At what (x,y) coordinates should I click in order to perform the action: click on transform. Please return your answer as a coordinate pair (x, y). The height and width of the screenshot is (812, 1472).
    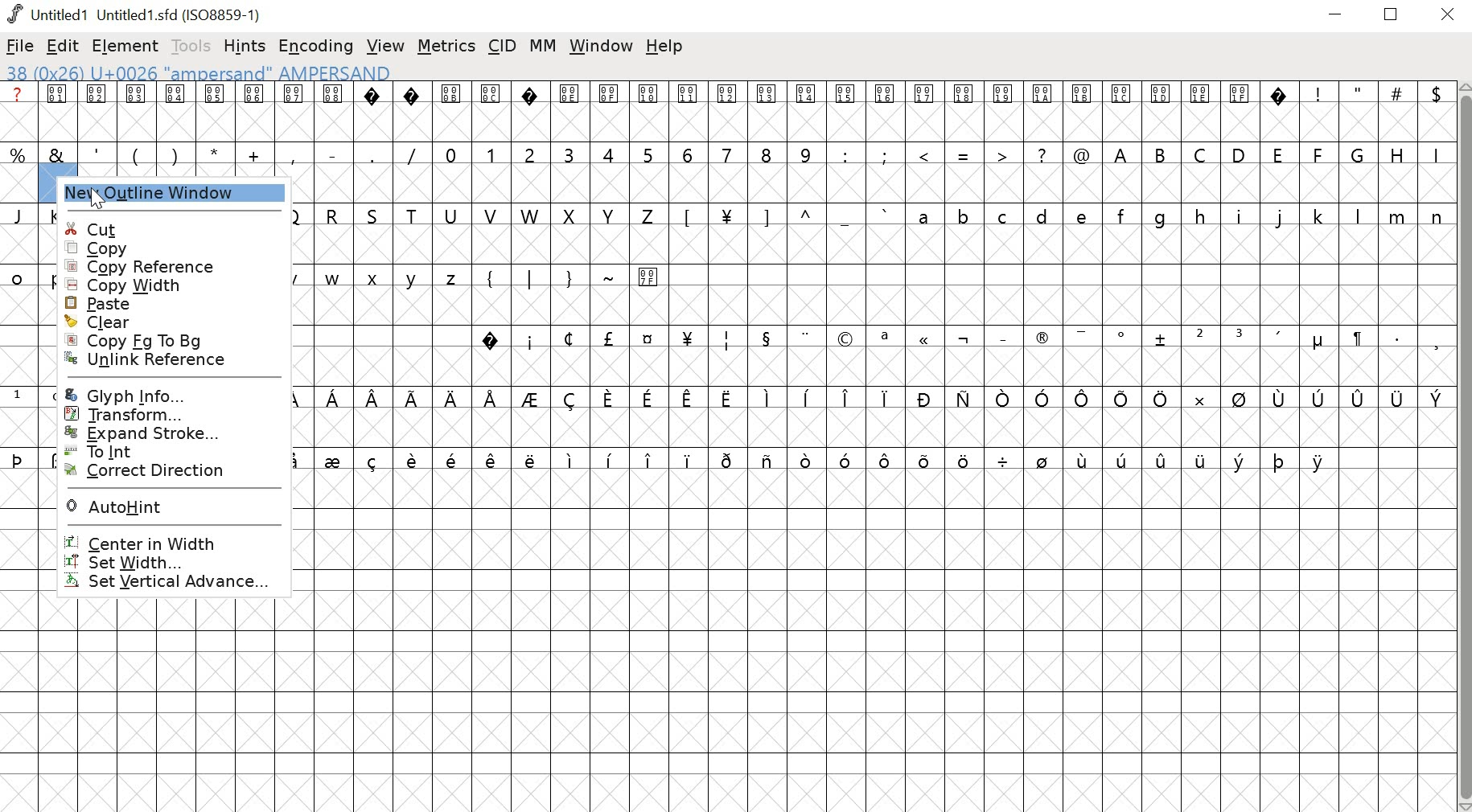
    Looking at the image, I should click on (165, 414).